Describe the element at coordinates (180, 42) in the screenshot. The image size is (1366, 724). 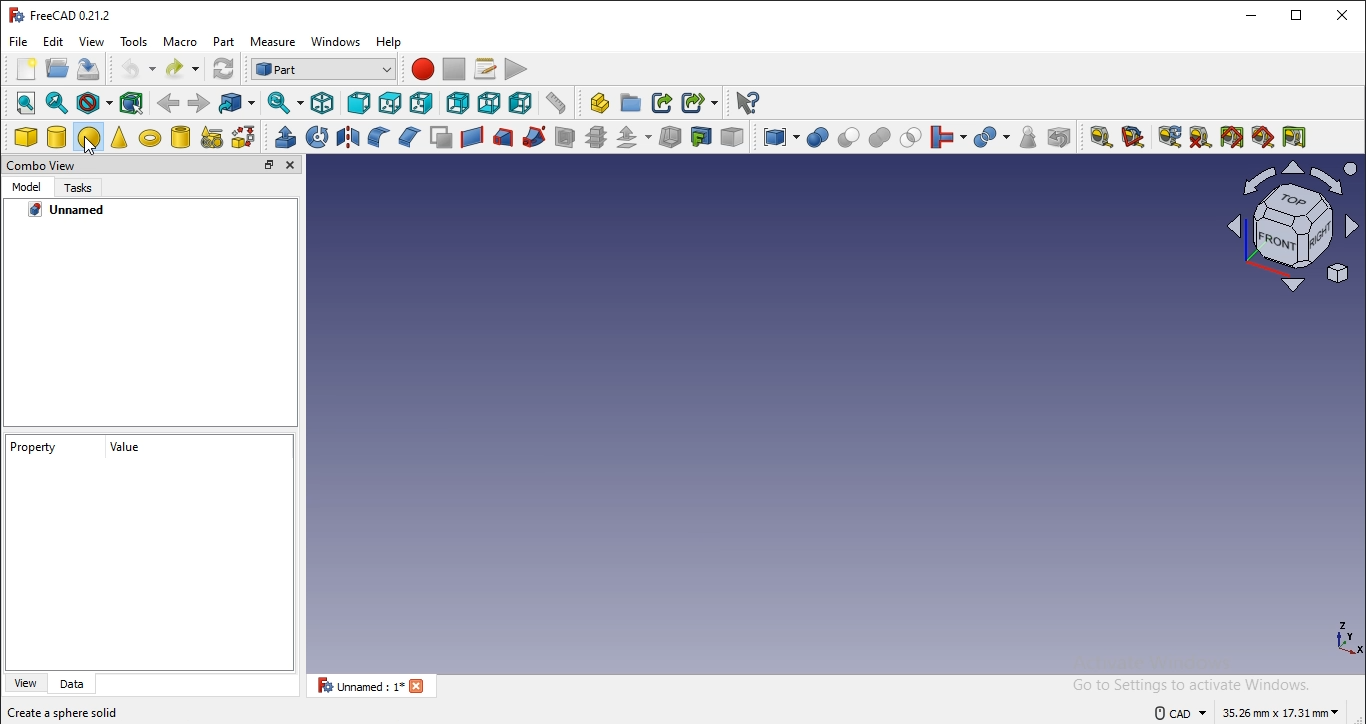
I see `macro` at that location.